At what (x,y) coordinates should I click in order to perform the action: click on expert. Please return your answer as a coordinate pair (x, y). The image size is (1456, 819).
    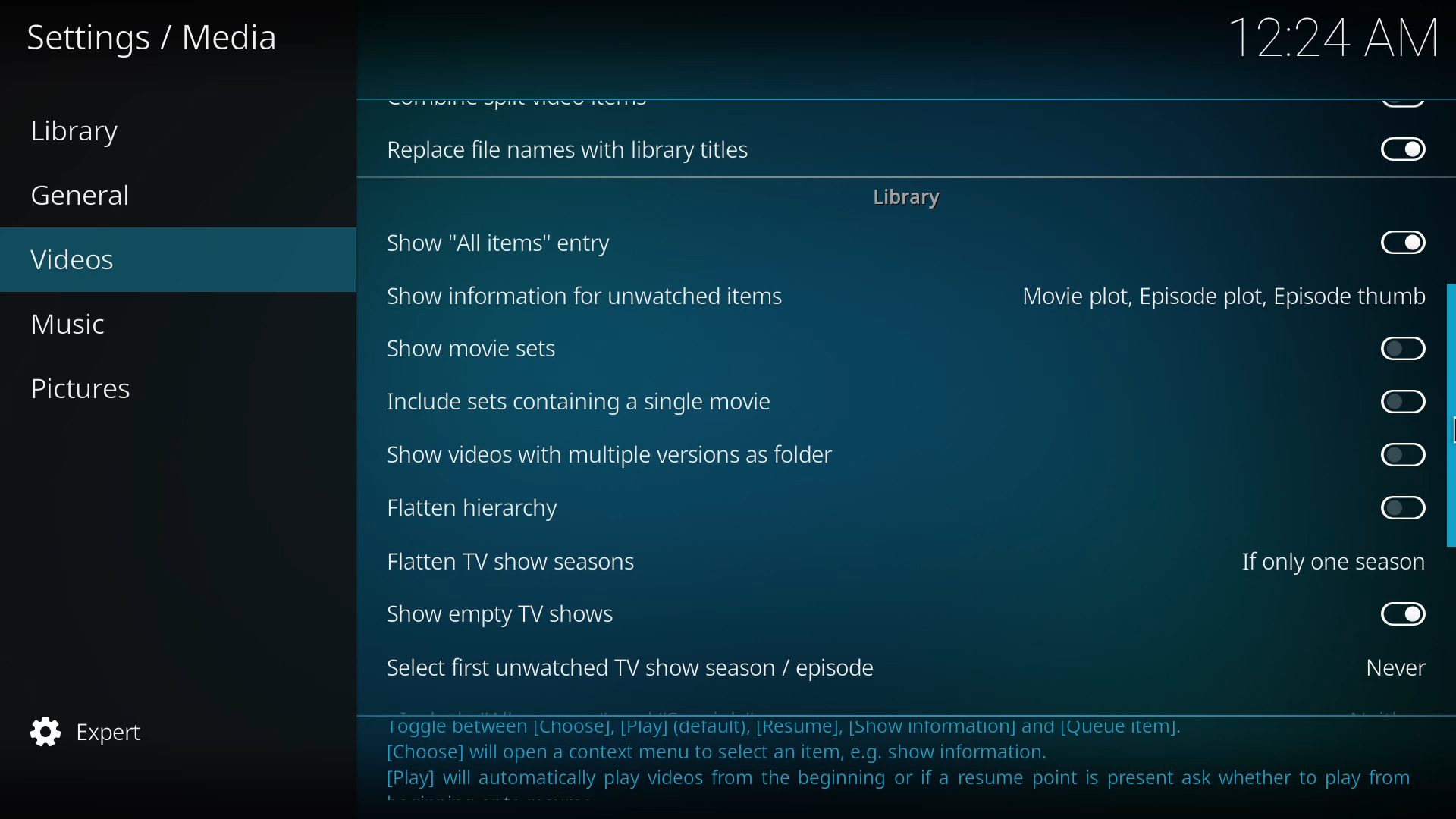
    Looking at the image, I should click on (92, 727).